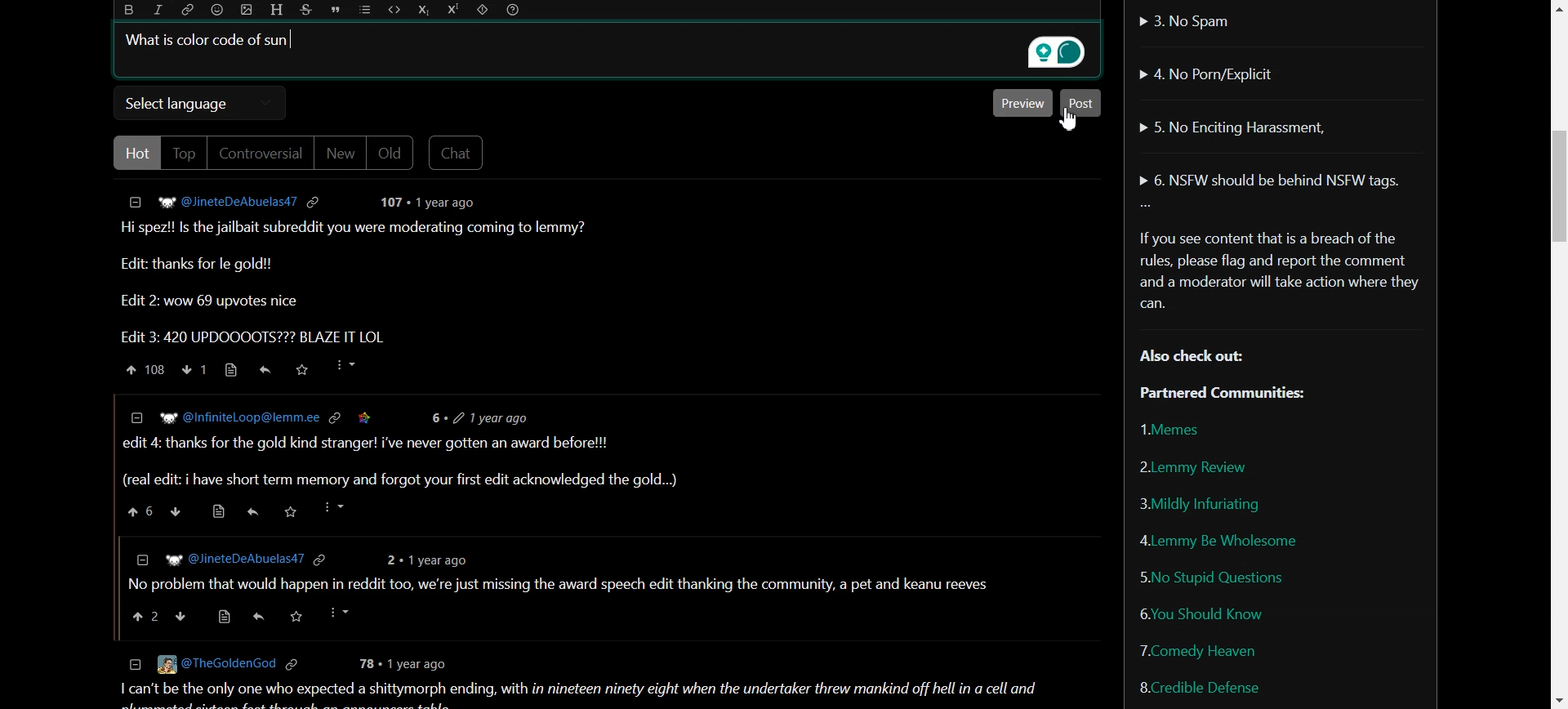 The image size is (1568, 709). I want to click on More, so click(1147, 206).